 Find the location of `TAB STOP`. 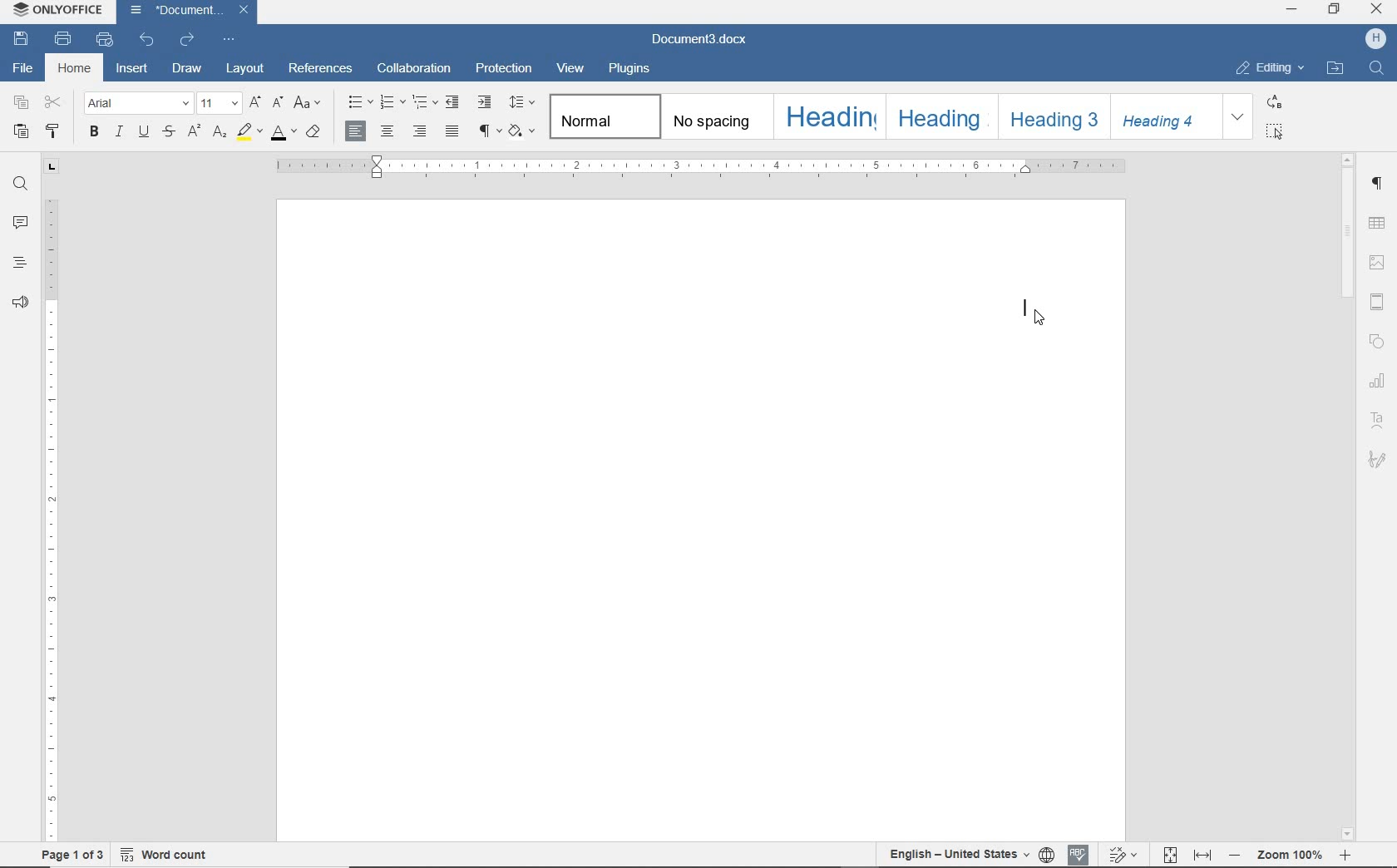

TAB STOP is located at coordinates (53, 169).